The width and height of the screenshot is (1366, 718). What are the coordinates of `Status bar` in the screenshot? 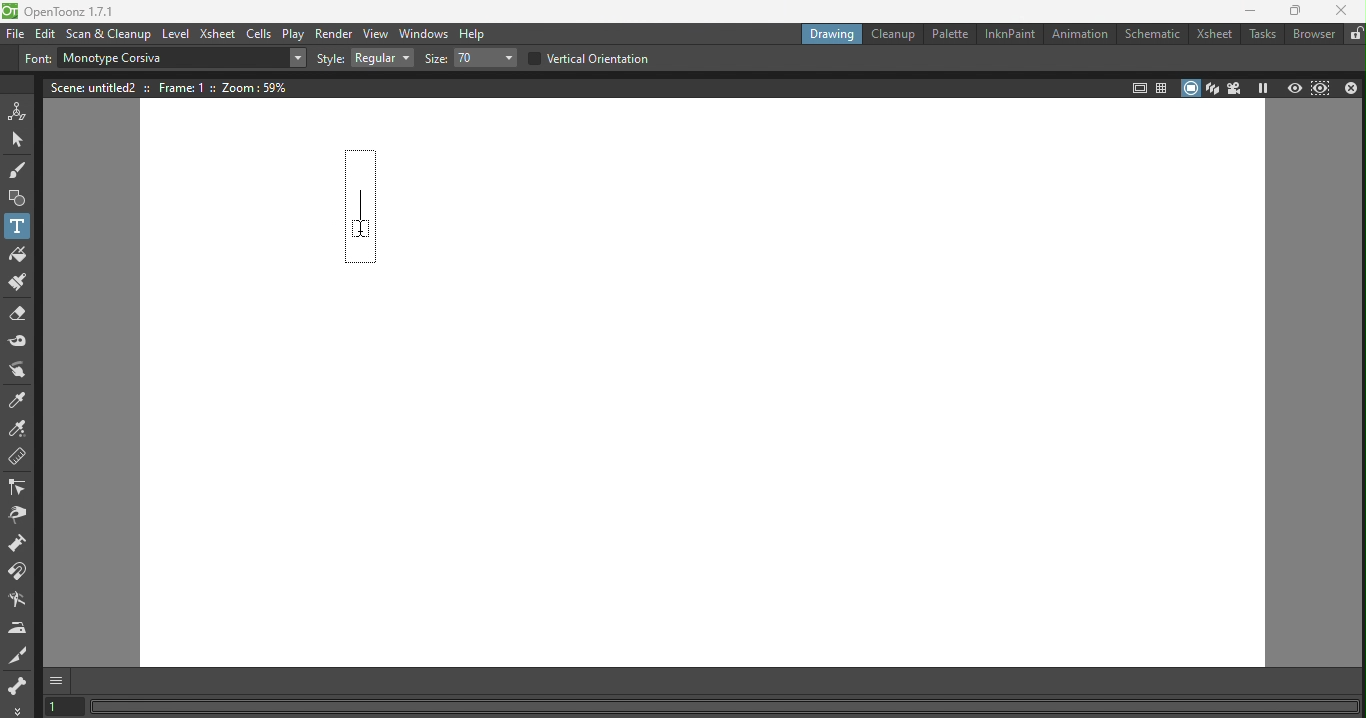 It's located at (721, 706).